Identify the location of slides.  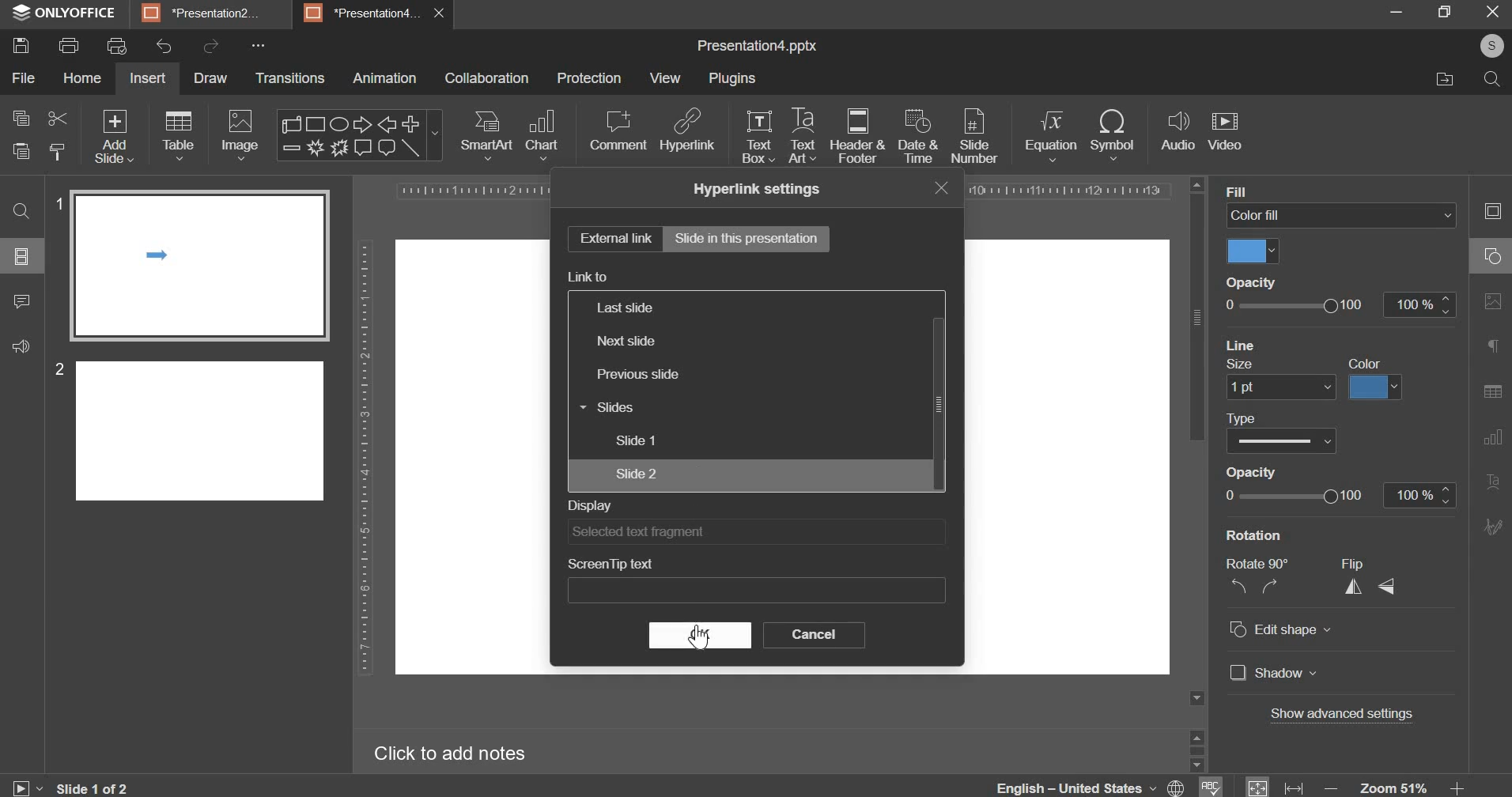
(606, 406).